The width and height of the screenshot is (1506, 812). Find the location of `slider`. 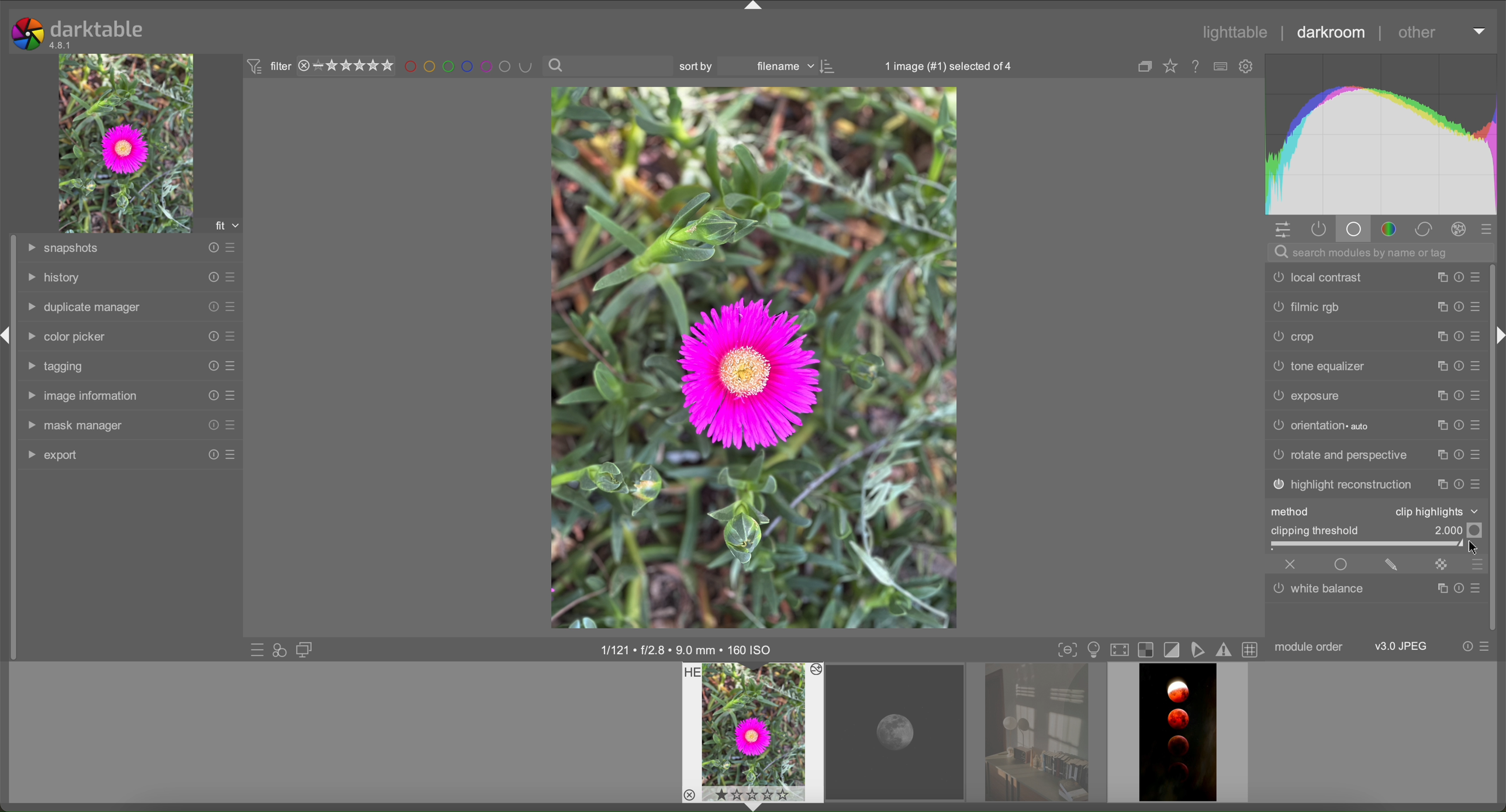

slider is located at coordinates (1379, 545).